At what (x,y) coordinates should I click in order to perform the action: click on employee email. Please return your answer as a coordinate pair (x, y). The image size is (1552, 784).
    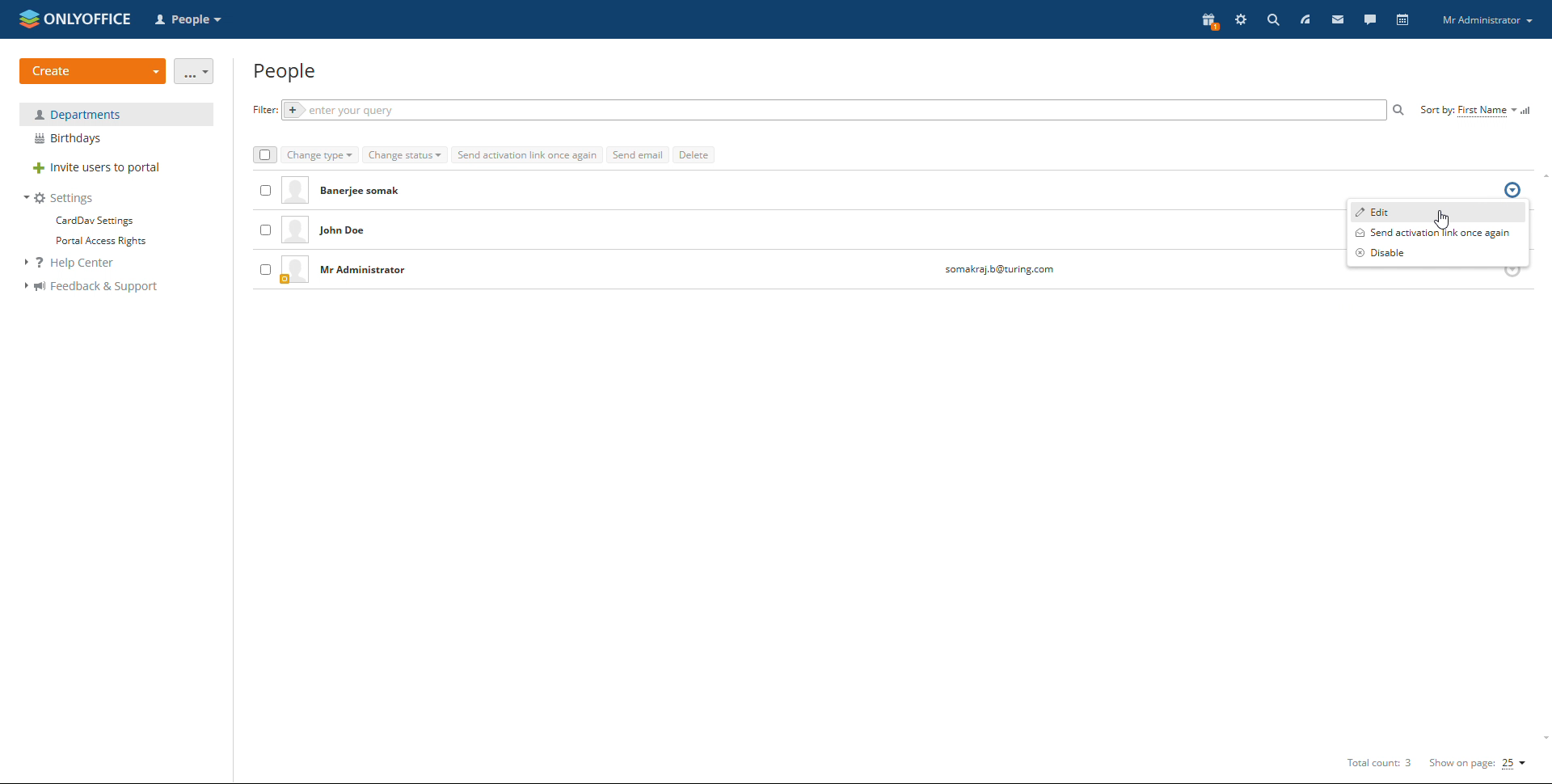
    Looking at the image, I should click on (998, 271).